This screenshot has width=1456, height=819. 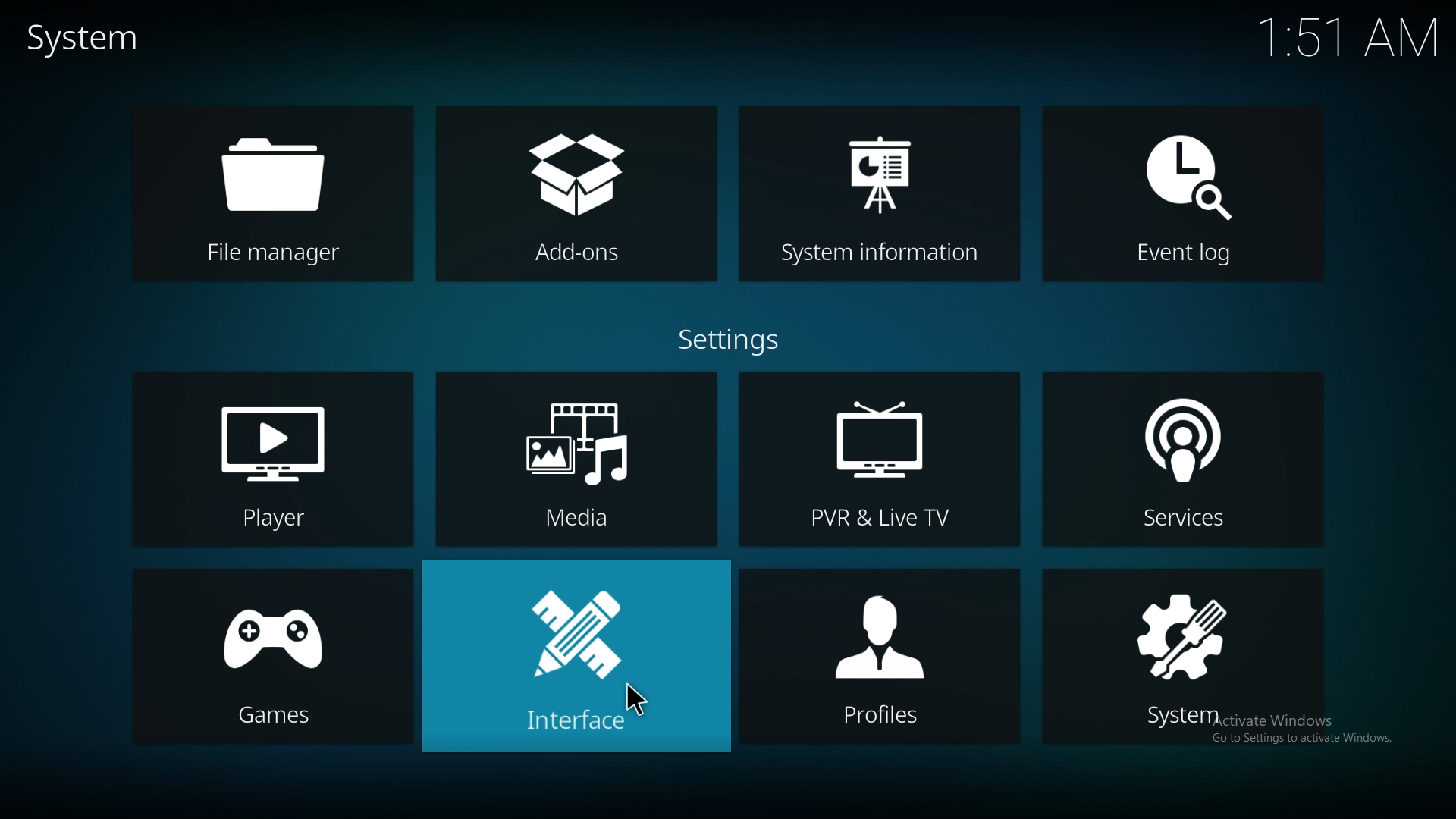 What do you see at coordinates (576, 195) in the screenshot?
I see `add ons` at bounding box center [576, 195].